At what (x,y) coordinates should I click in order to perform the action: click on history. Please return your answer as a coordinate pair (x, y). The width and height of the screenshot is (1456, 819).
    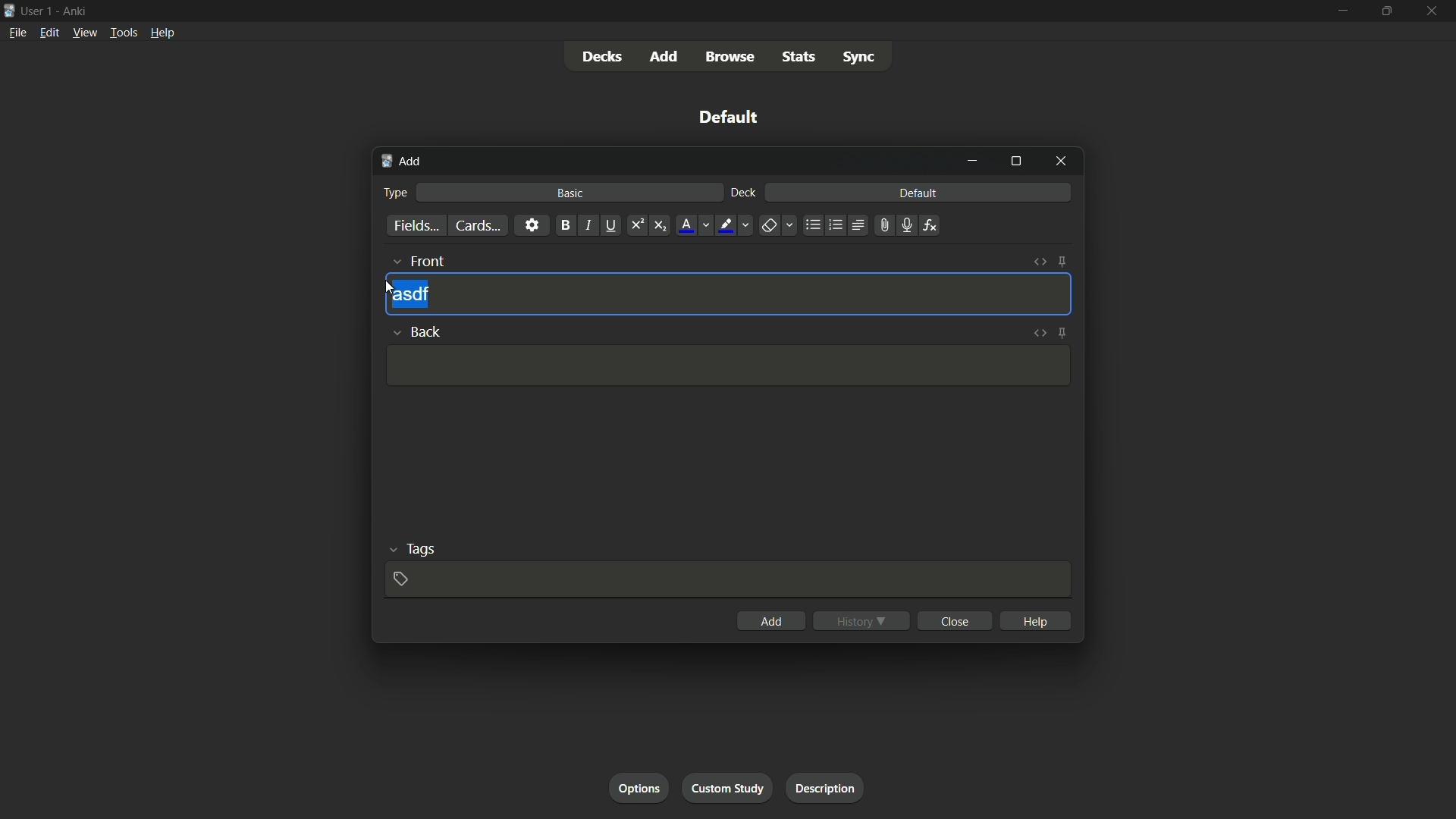
    Looking at the image, I should click on (862, 620).